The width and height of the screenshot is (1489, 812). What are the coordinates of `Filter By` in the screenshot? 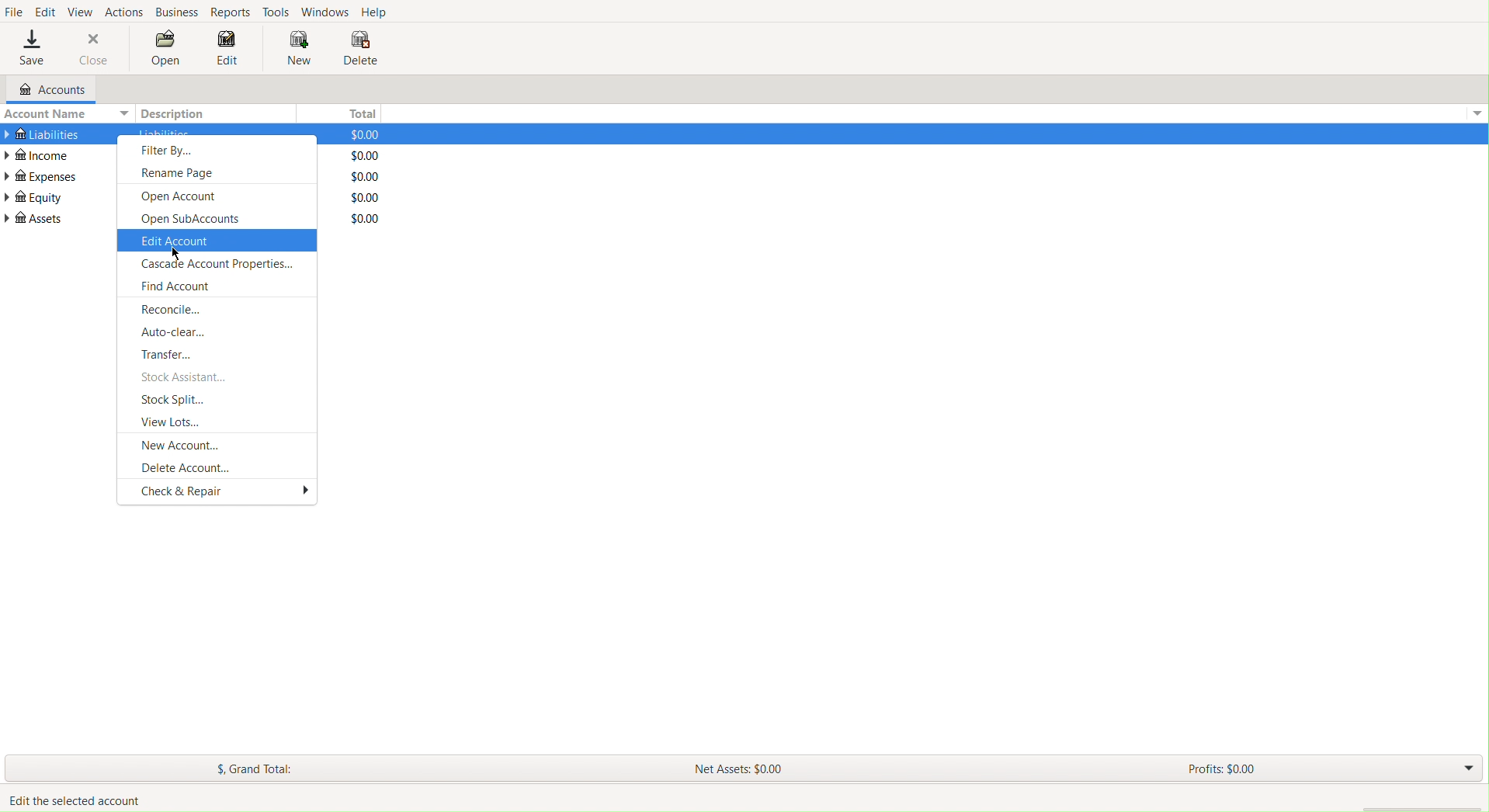 It's located at (170, 151).